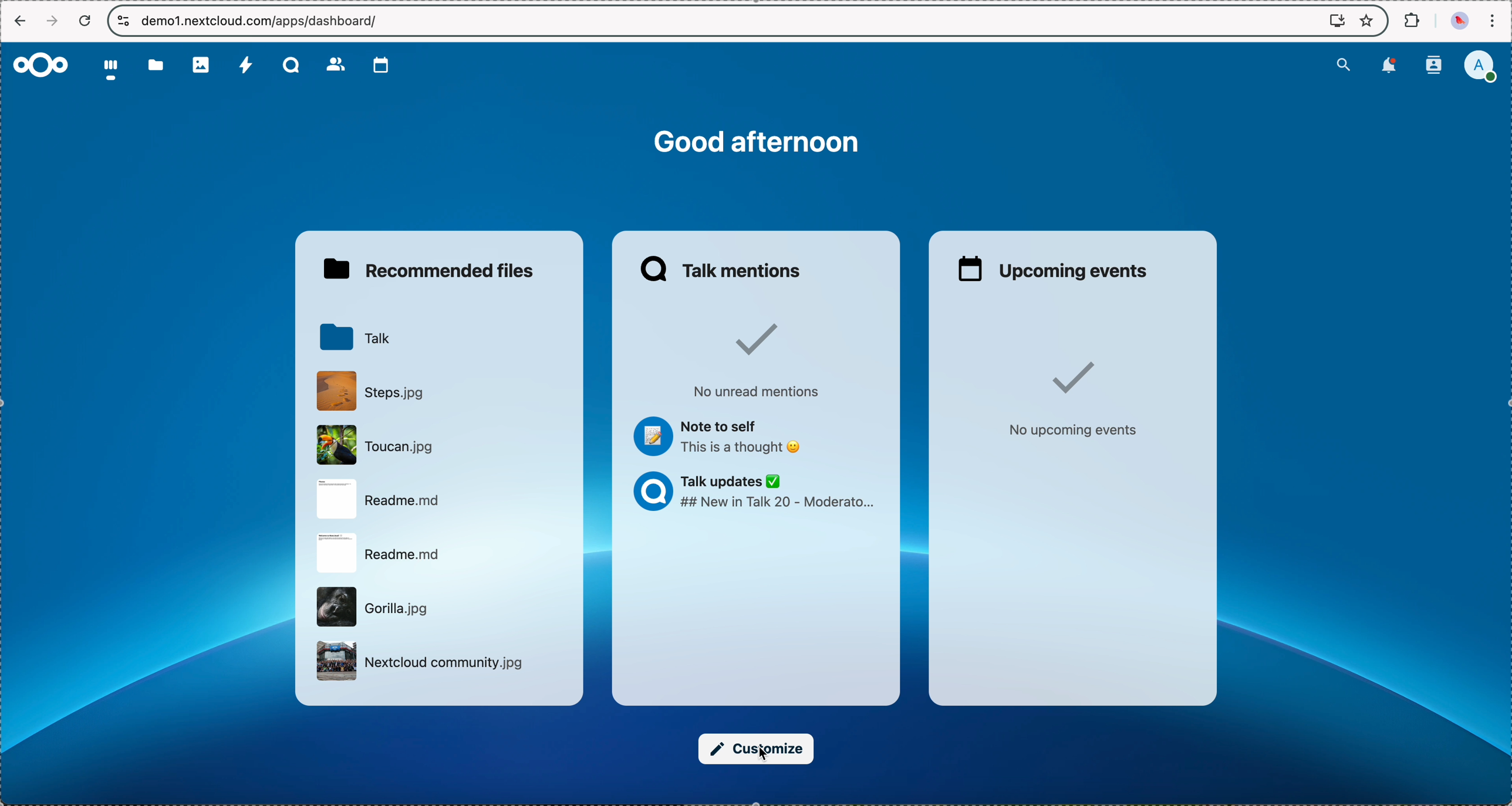 The image size is (1512, 806). Describe the element at coordinates (202, 65) in the screenshot. I see `photos` at that location.